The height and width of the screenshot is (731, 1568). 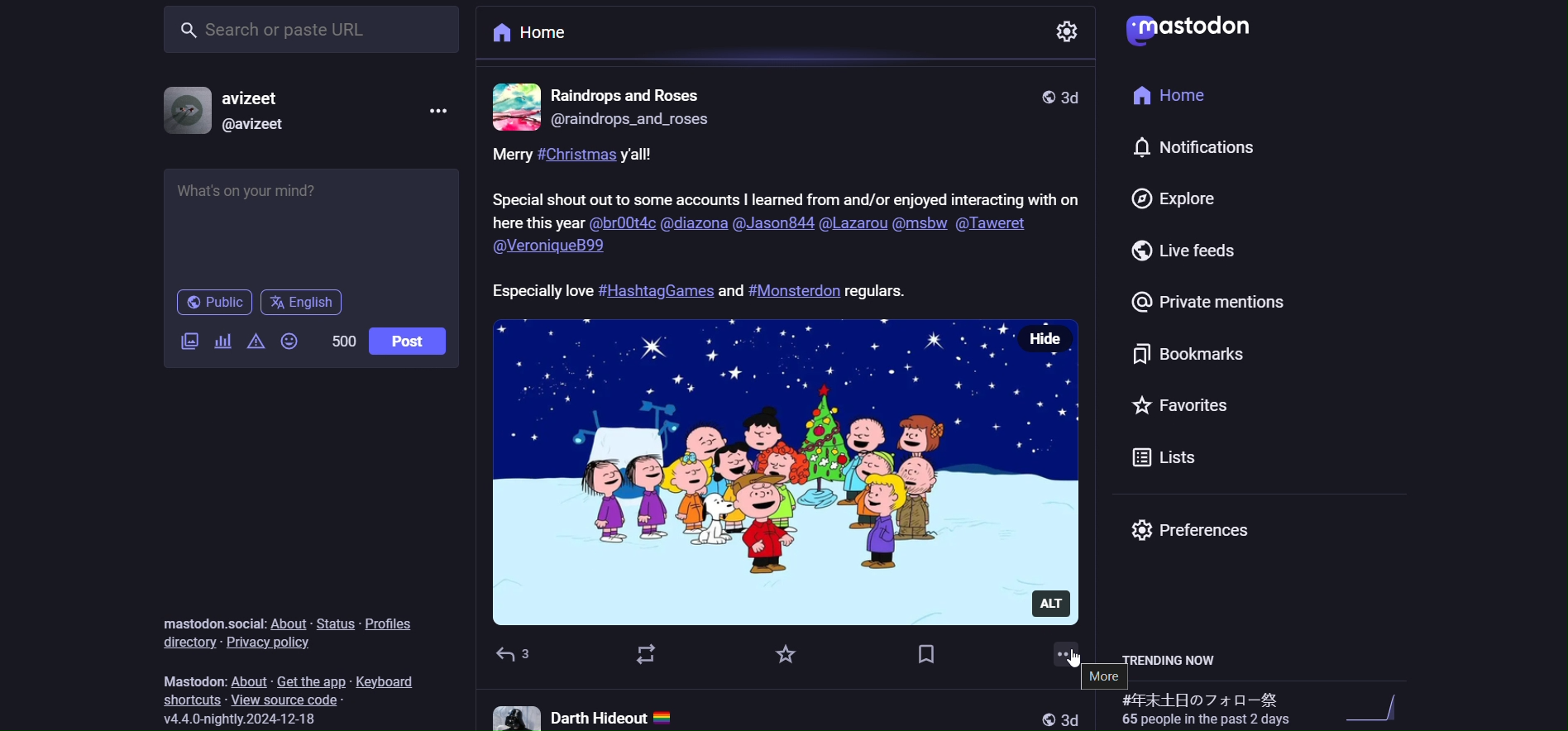 I want to click on name, so click(x=632, y=94).